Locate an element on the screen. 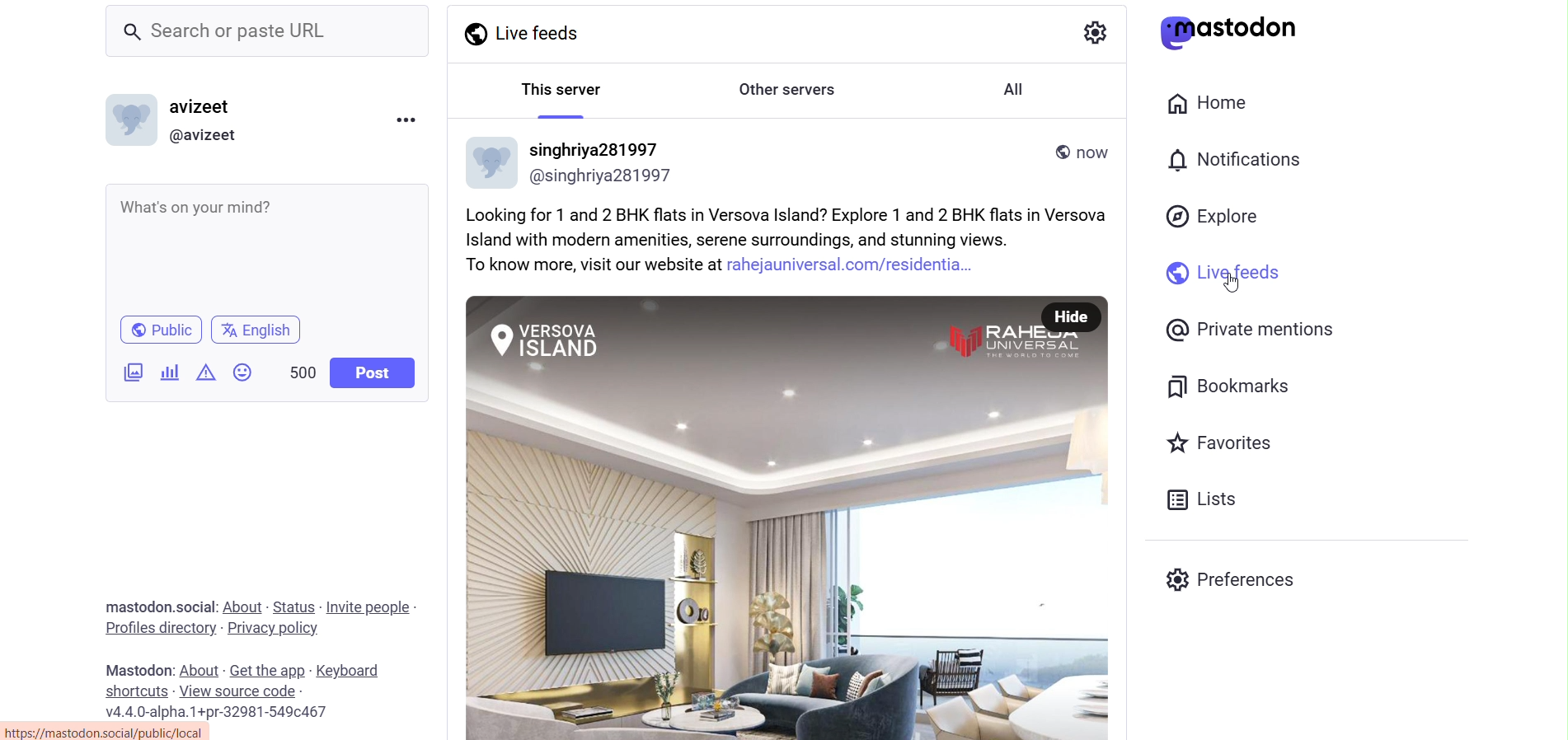 The image size is (1568, 740). 500 is located at coordinates (302, 372).